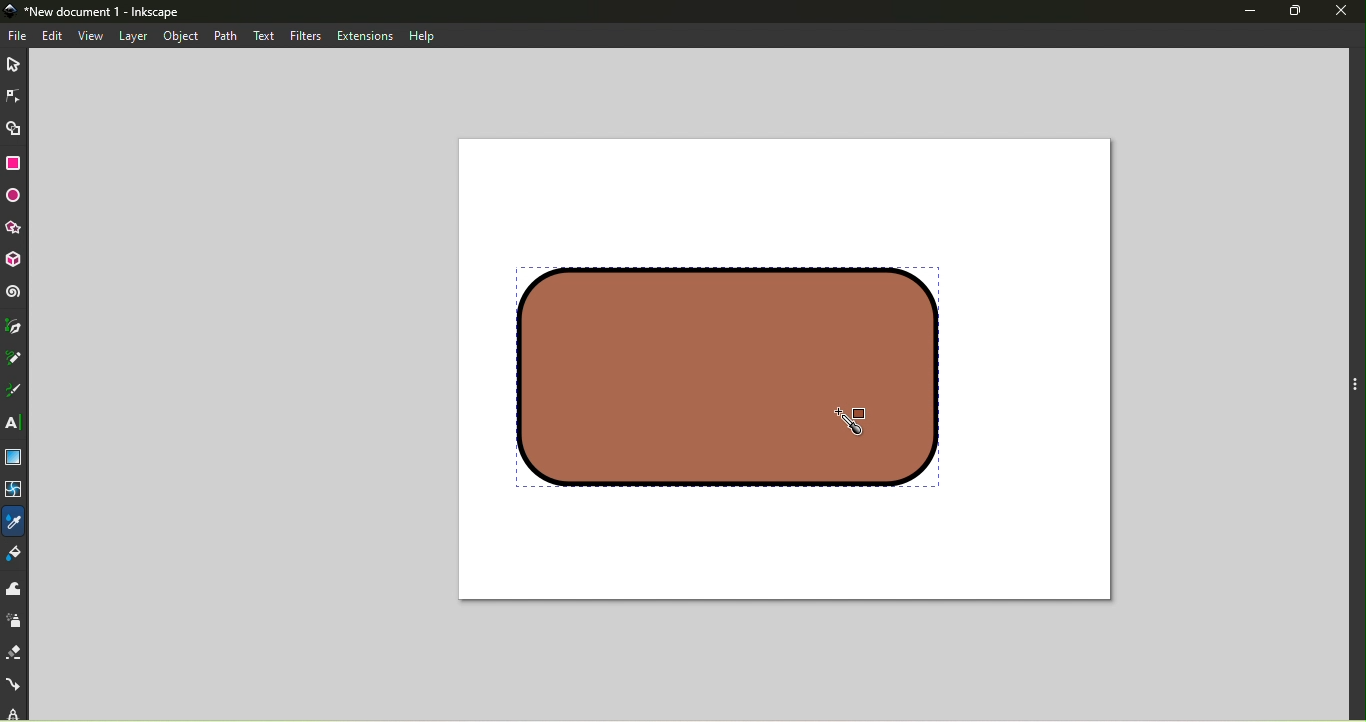 The height and width of the screenshot is (722, 1366). What do you see at coordinates (720, 374) in the screenshot?
I see `Color changed` at bounding box center [720, 374].